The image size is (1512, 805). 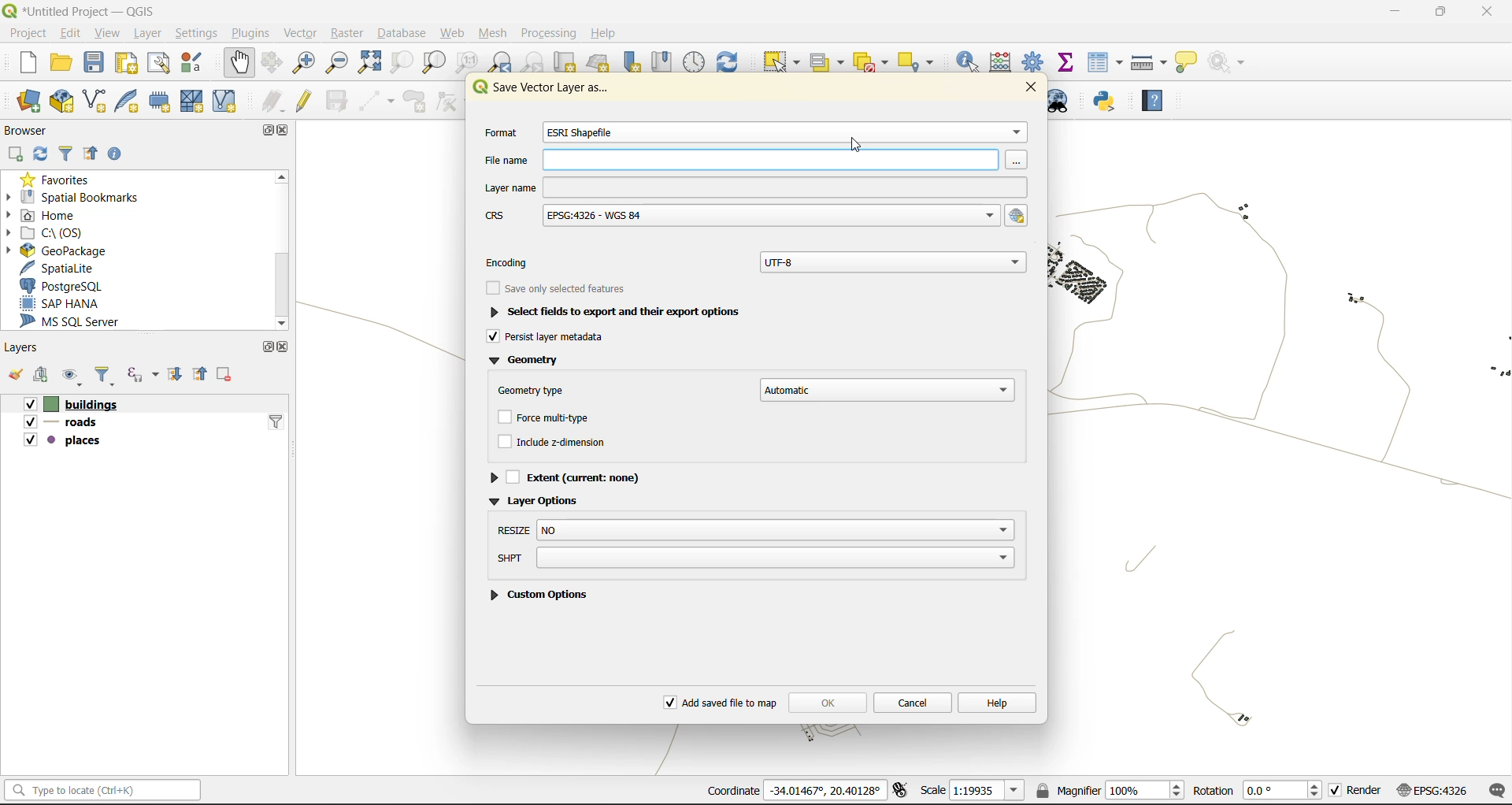 I want to click on deselect value, so click(x=874, y=63).